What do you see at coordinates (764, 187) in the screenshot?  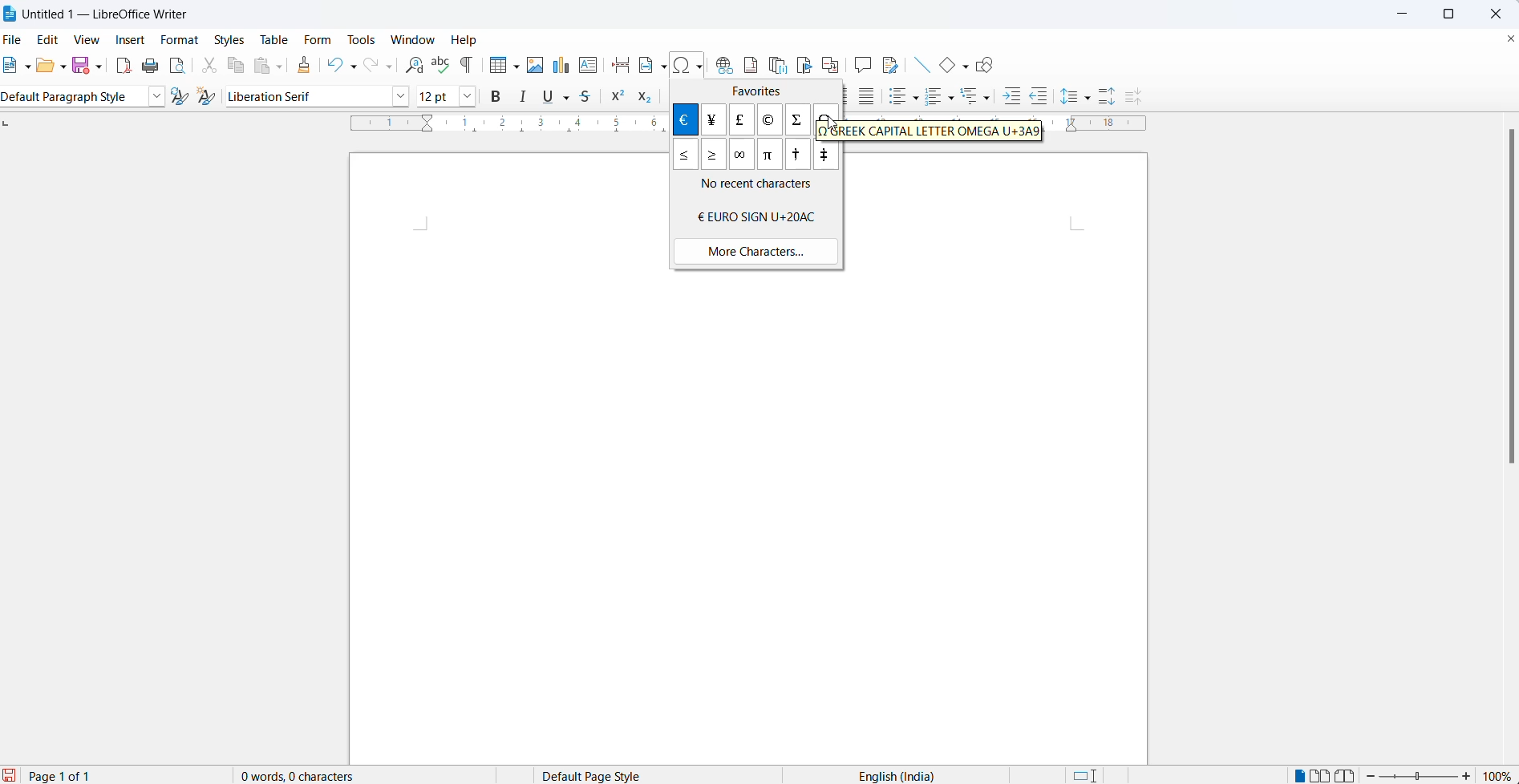 I see `recent characters` at bounding box center [764, 187].